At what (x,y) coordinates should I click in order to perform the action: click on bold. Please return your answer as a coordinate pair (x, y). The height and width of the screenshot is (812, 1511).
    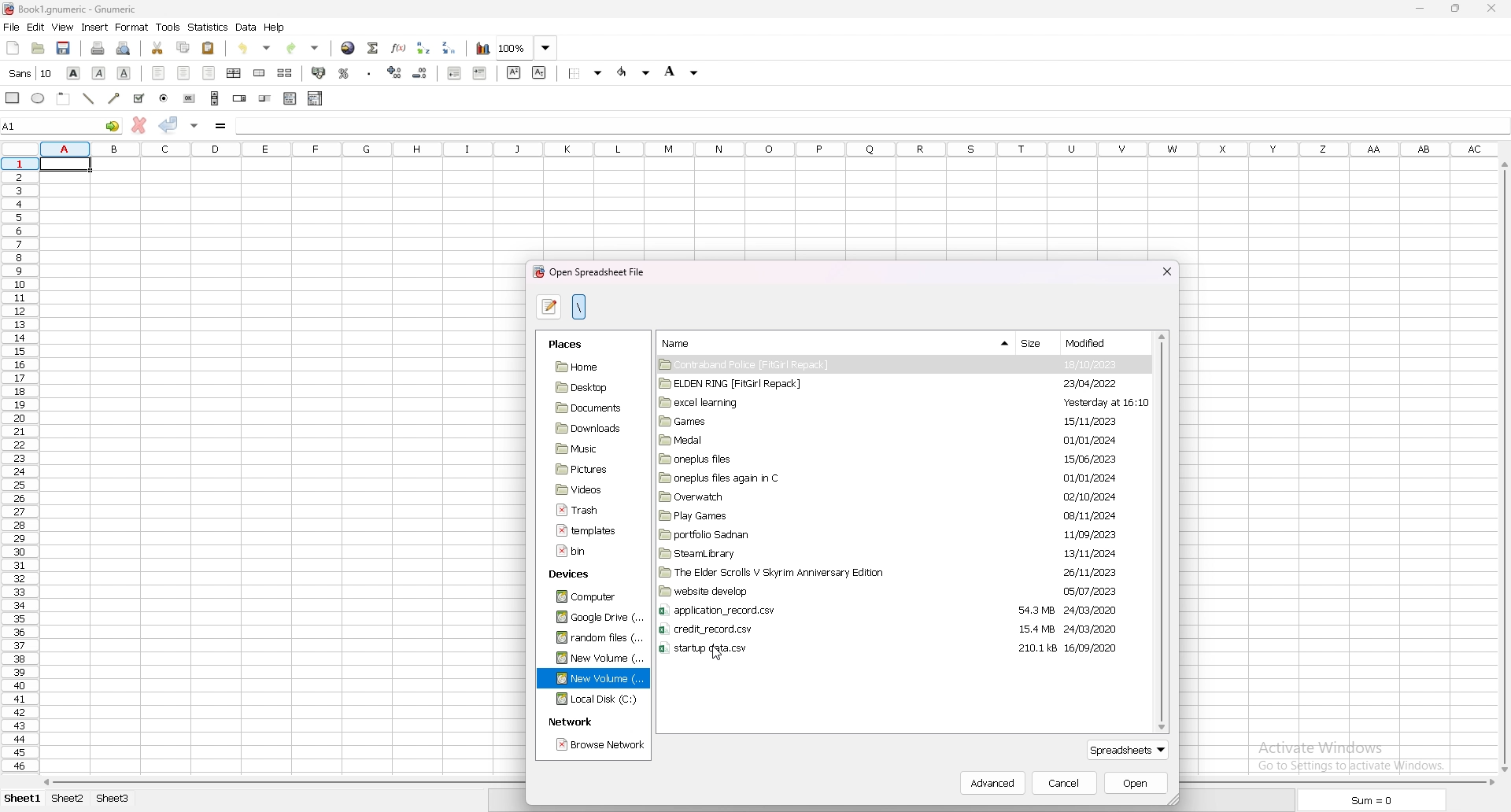
    Looking at the image, I should click on (74, 74).